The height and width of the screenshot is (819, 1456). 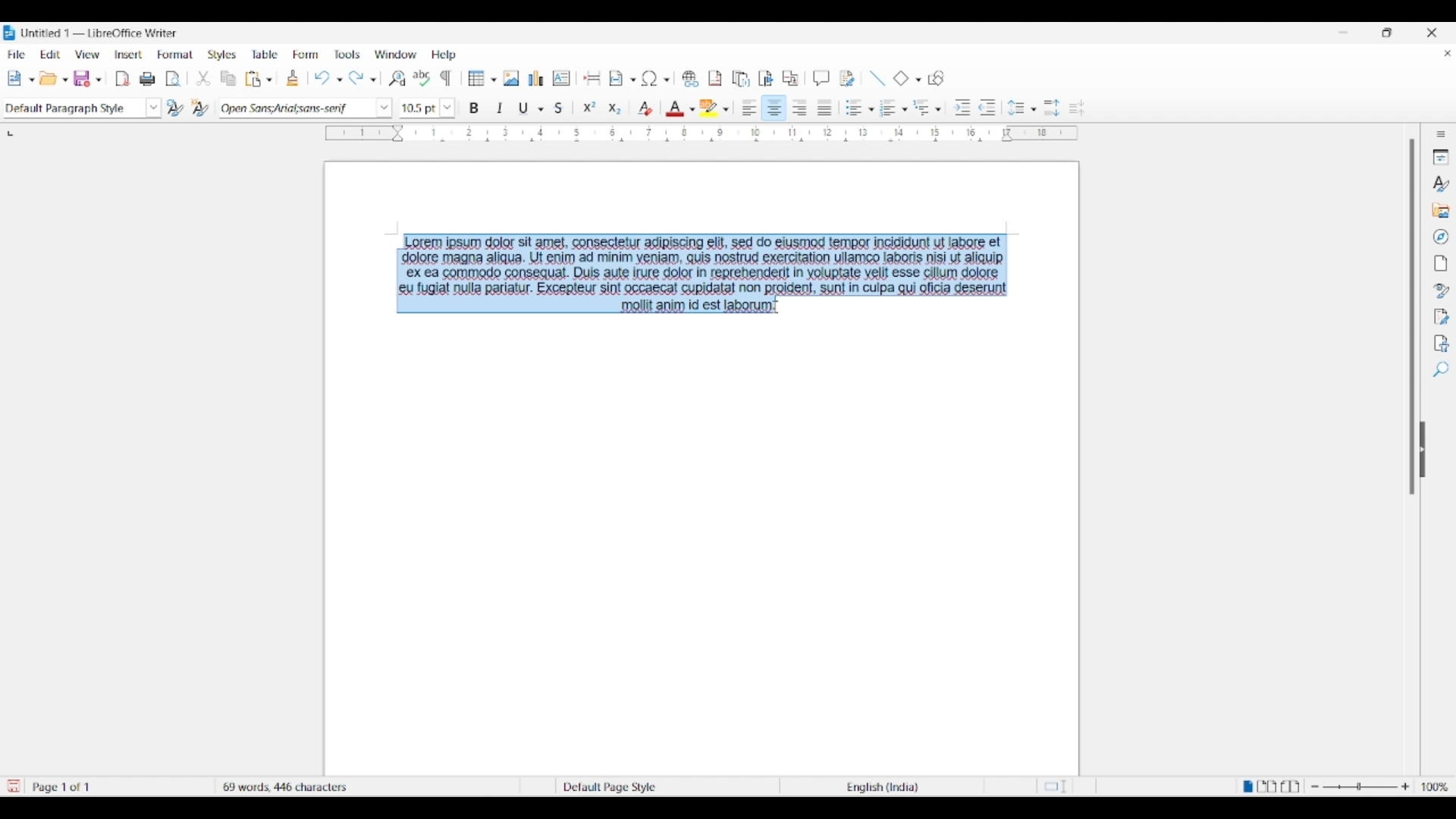 What do you see at coordinates (1268, 786) in the screenshot?
I see `Multiple page view` at bounding box center [1268, 786].